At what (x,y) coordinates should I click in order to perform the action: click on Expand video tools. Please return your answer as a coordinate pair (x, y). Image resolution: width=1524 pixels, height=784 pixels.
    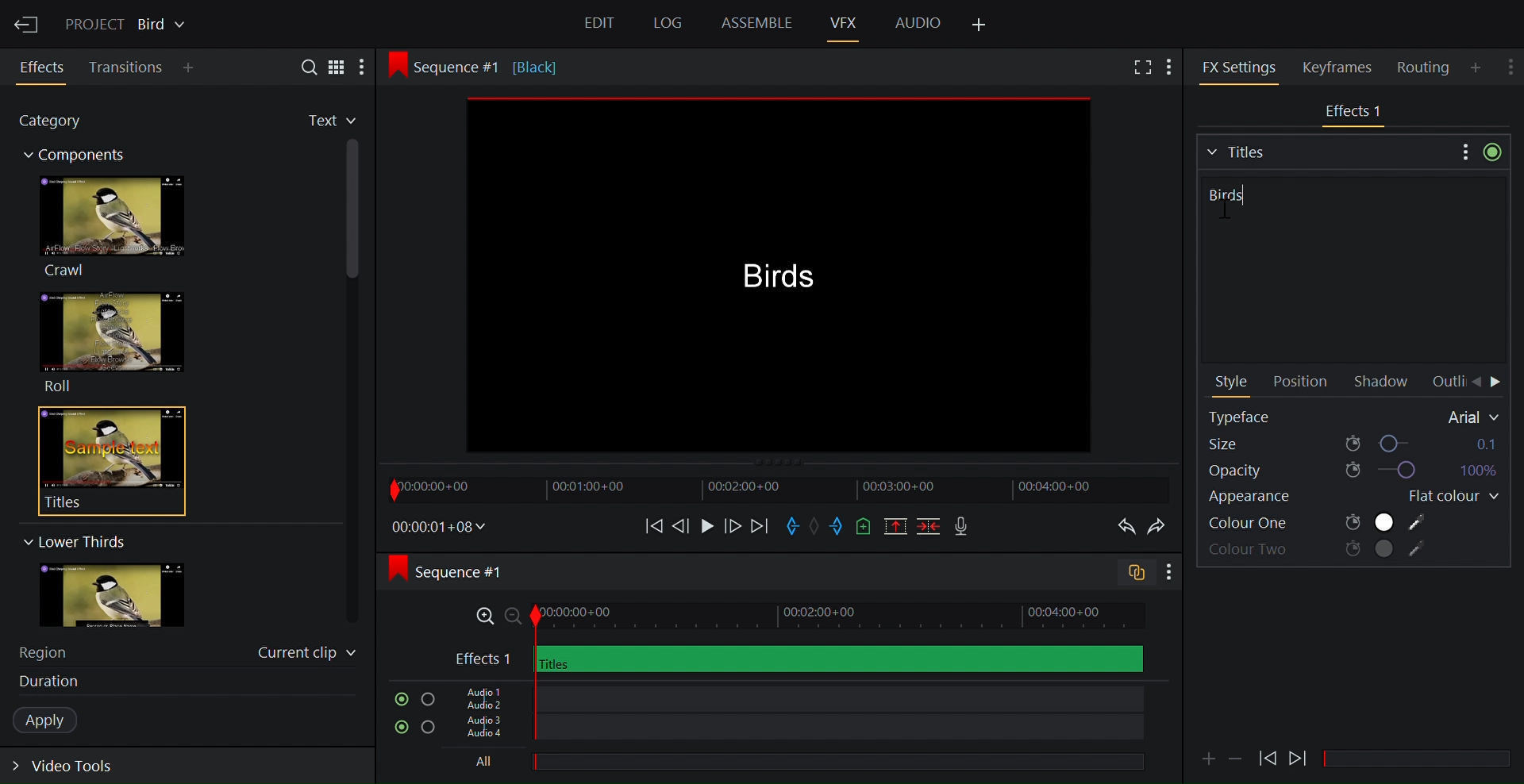
    Looking at the image, I should click on (73, 769).